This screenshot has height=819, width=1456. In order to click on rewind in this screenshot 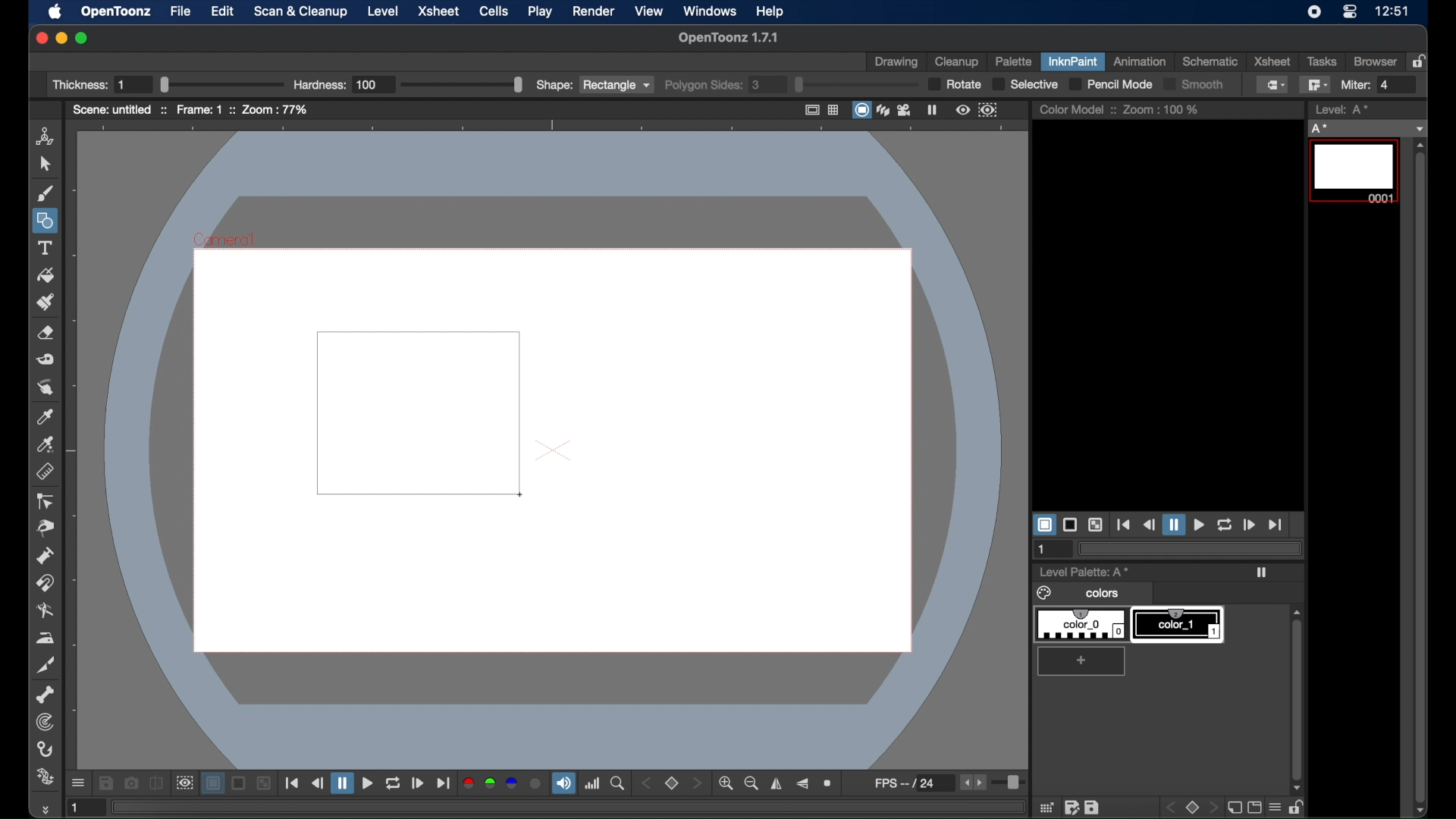, I will do `click(317, 783)`.